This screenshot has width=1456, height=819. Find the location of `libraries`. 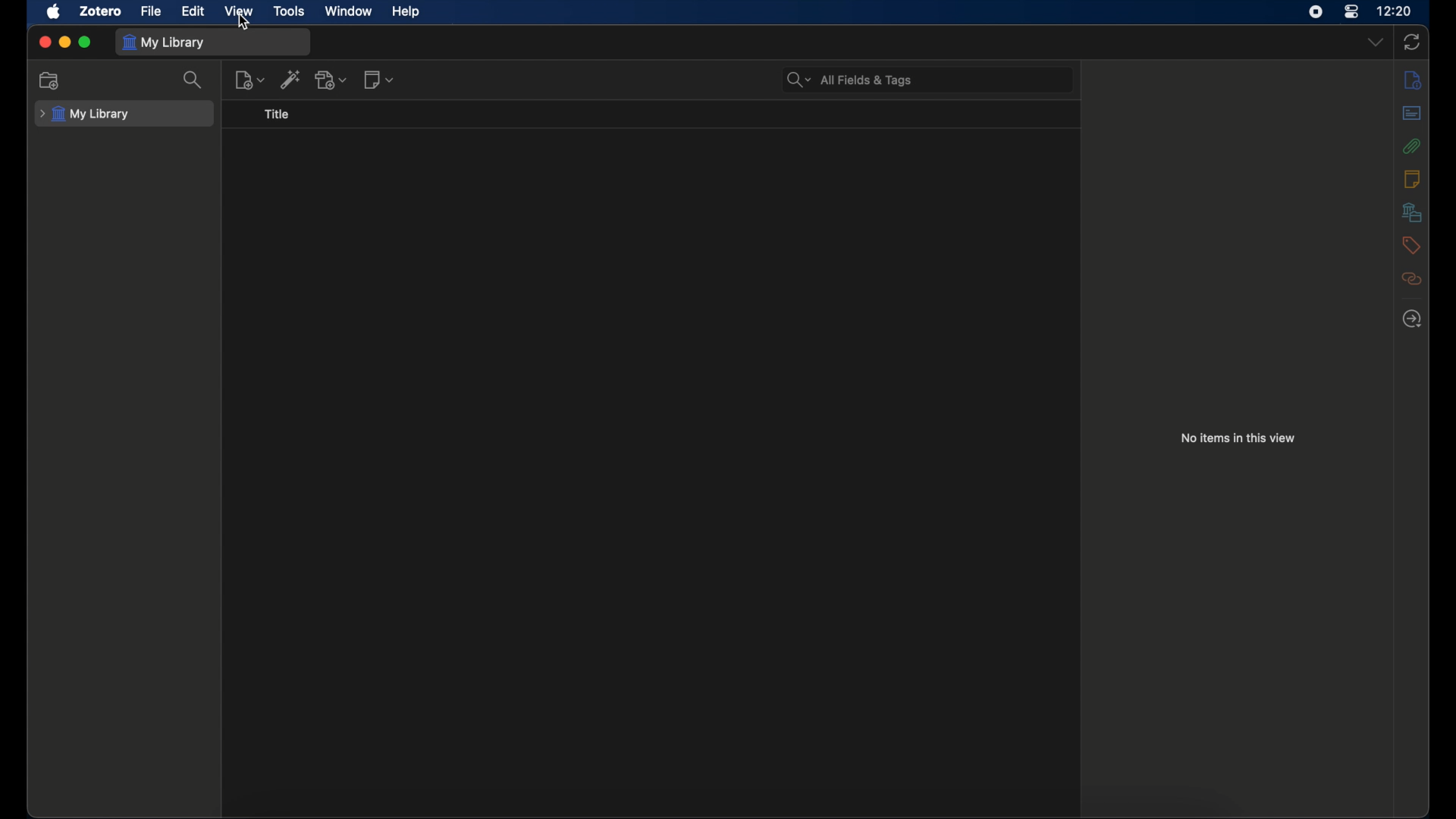

libraries is located at coordinates (1412, 212).